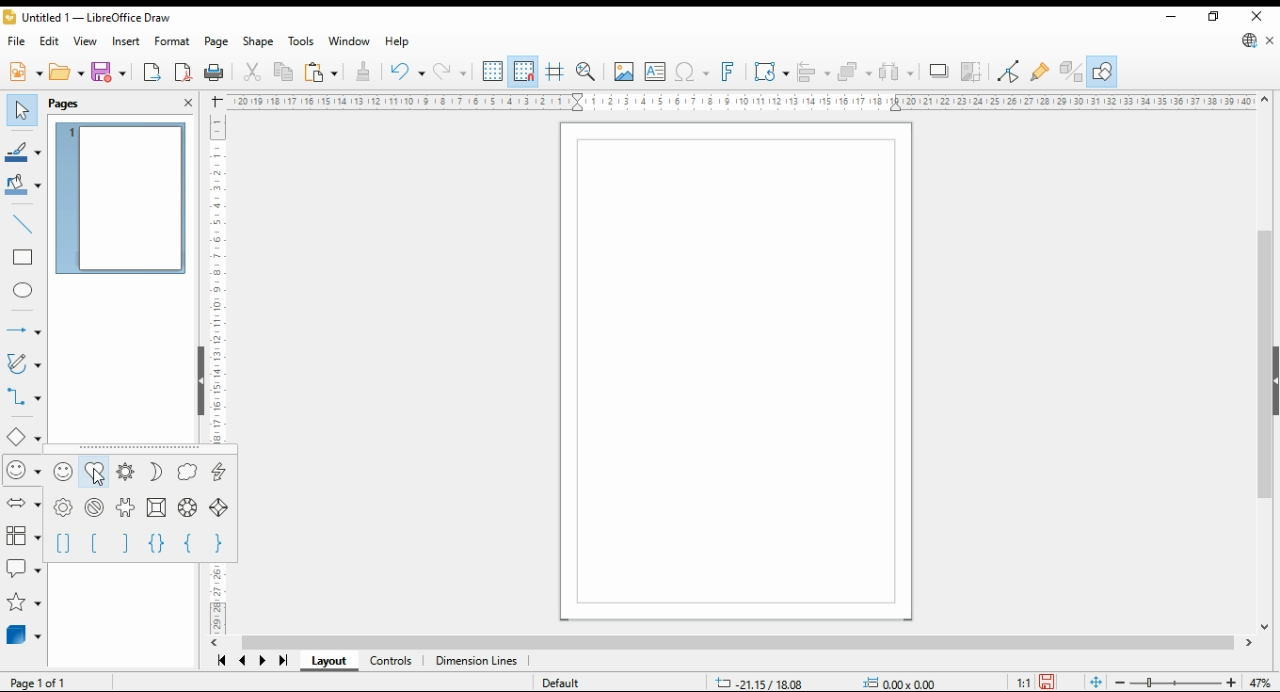 This screenshot has height=692, width=1280. Describe the element at coordinates (25, 72) in the screenshot. I see `new` at that location.